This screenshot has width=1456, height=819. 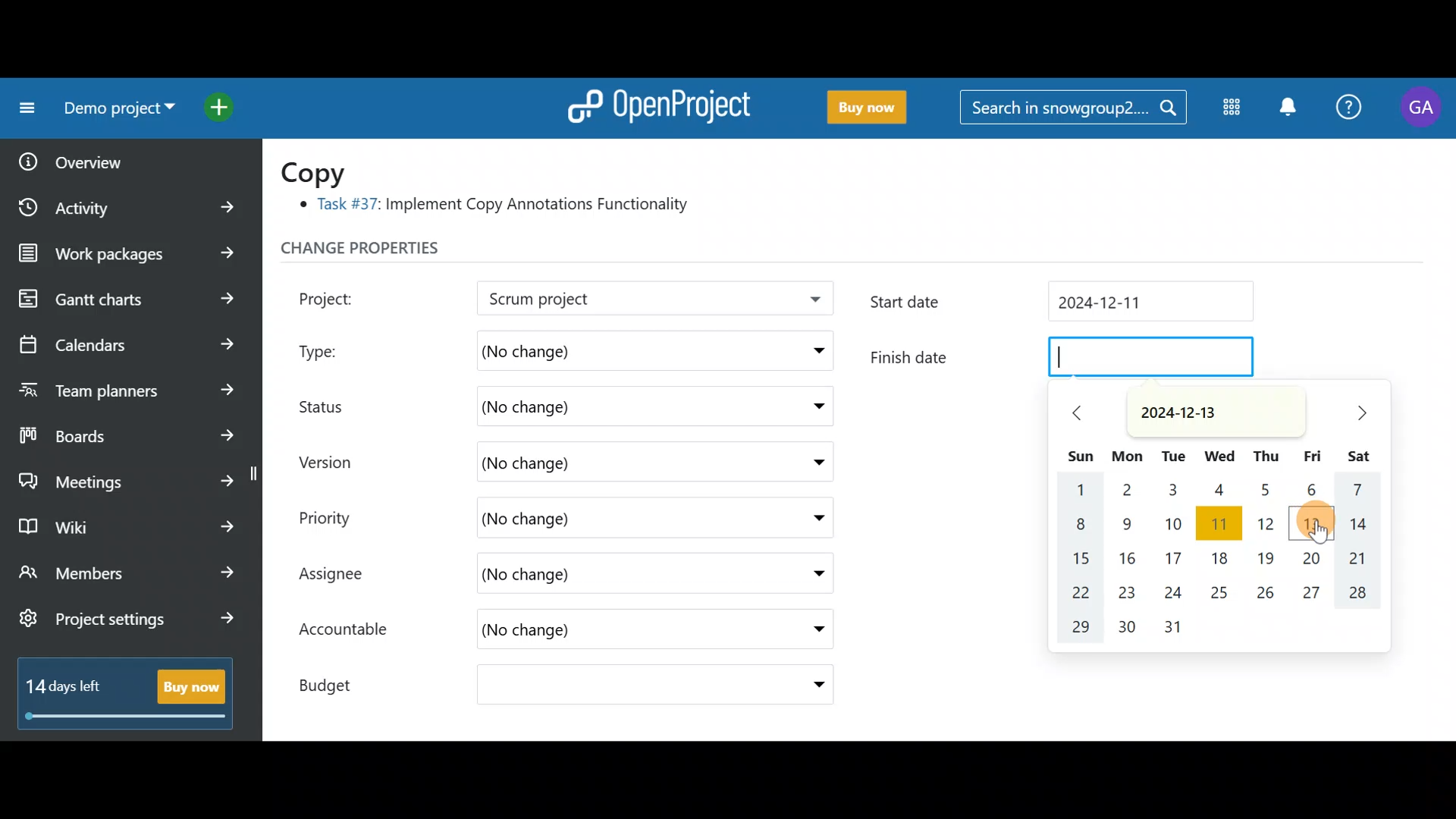 What do you see at coordinates (1071, 108) in the screenshot?
I see `Search in snowgroup?.... ` at bounding box center [1071, 108].